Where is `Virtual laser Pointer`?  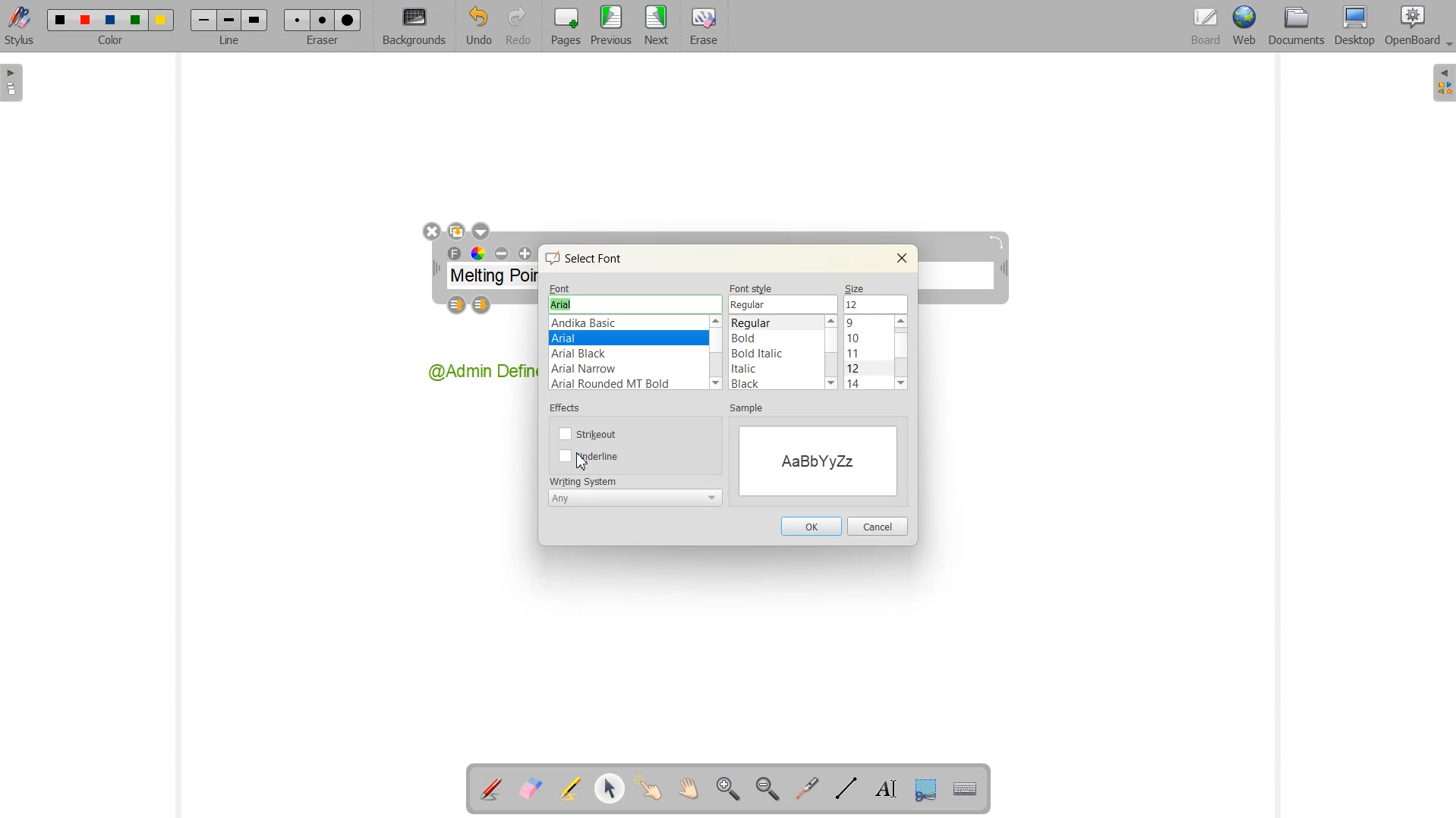
Virtual laser Pointer is located at coordinates (807, 788).